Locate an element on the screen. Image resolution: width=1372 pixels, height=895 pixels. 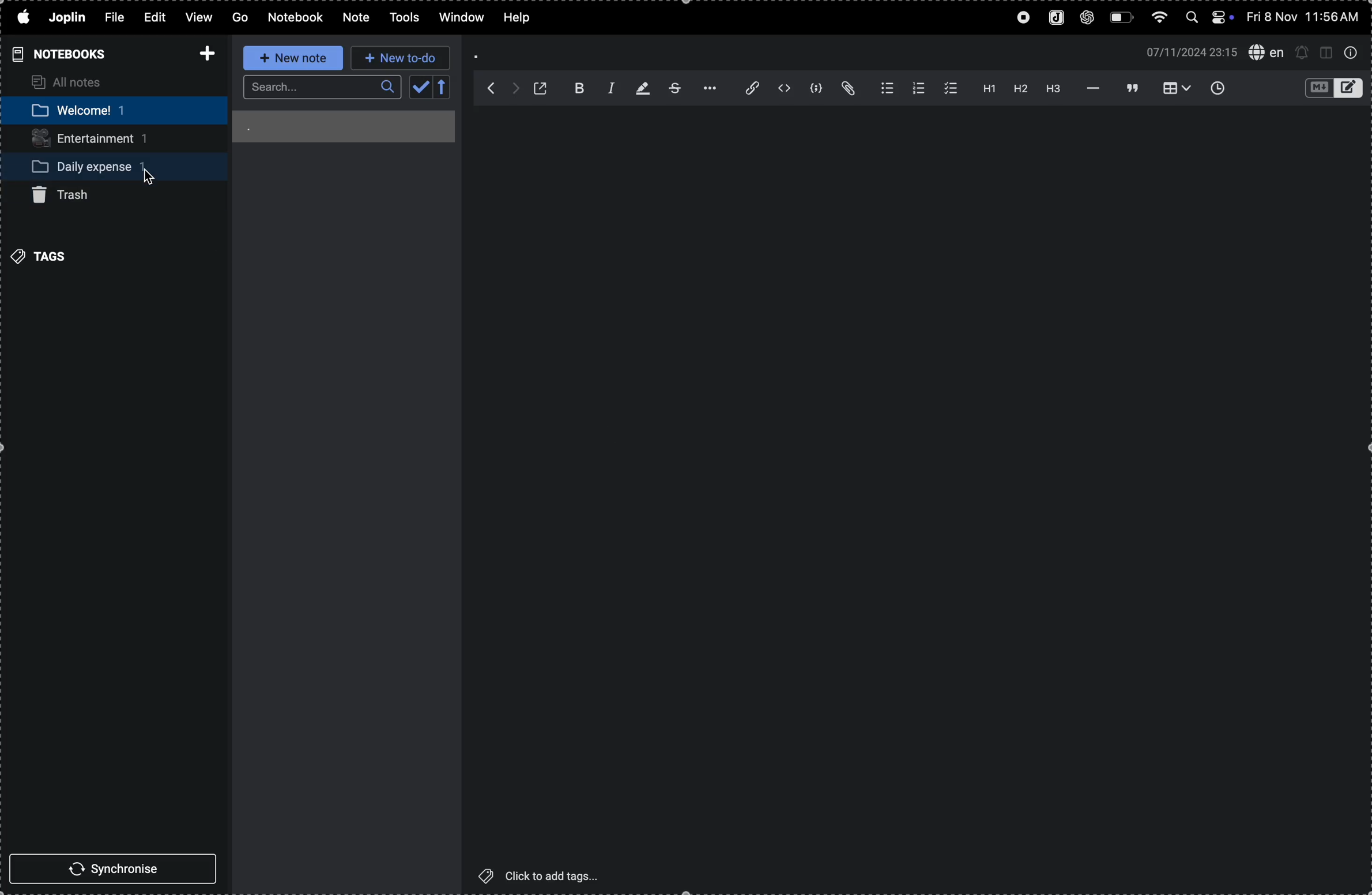
new to do is located at coordinates (401, 58).